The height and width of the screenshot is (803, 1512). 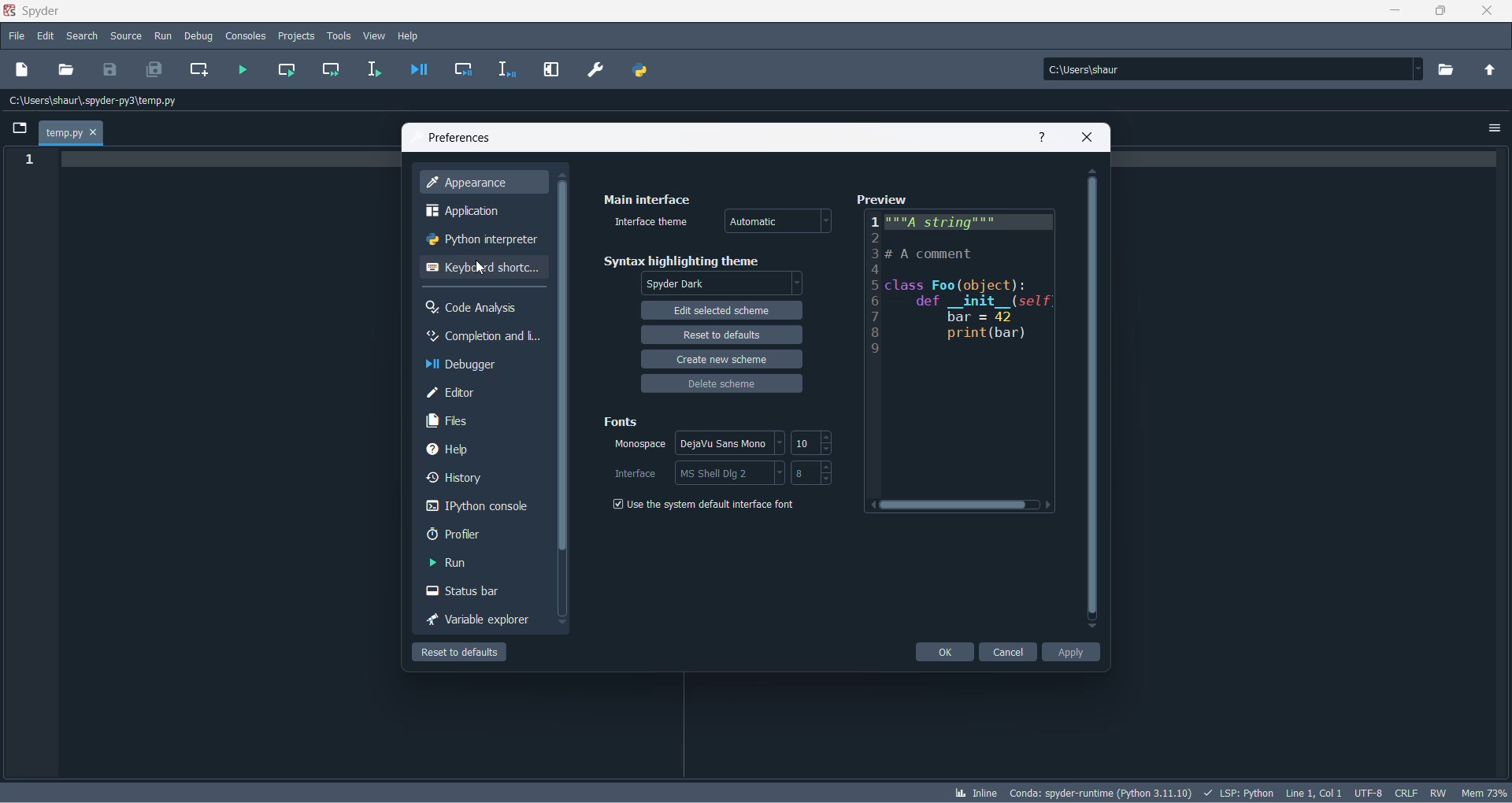 What do you see at coordinates (733, 472) in the screenshot?
I see `interface options` at bounding box center [733, 472].